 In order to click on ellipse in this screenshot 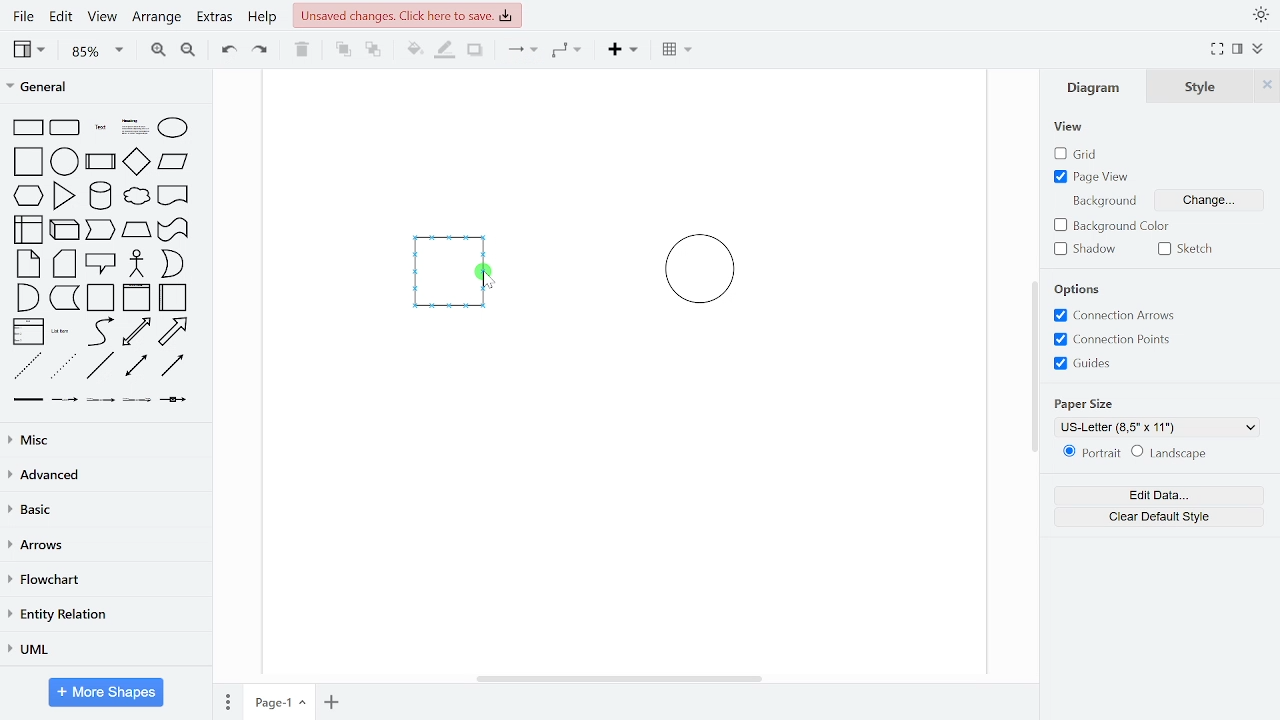, I will do `click(177, 129)`.